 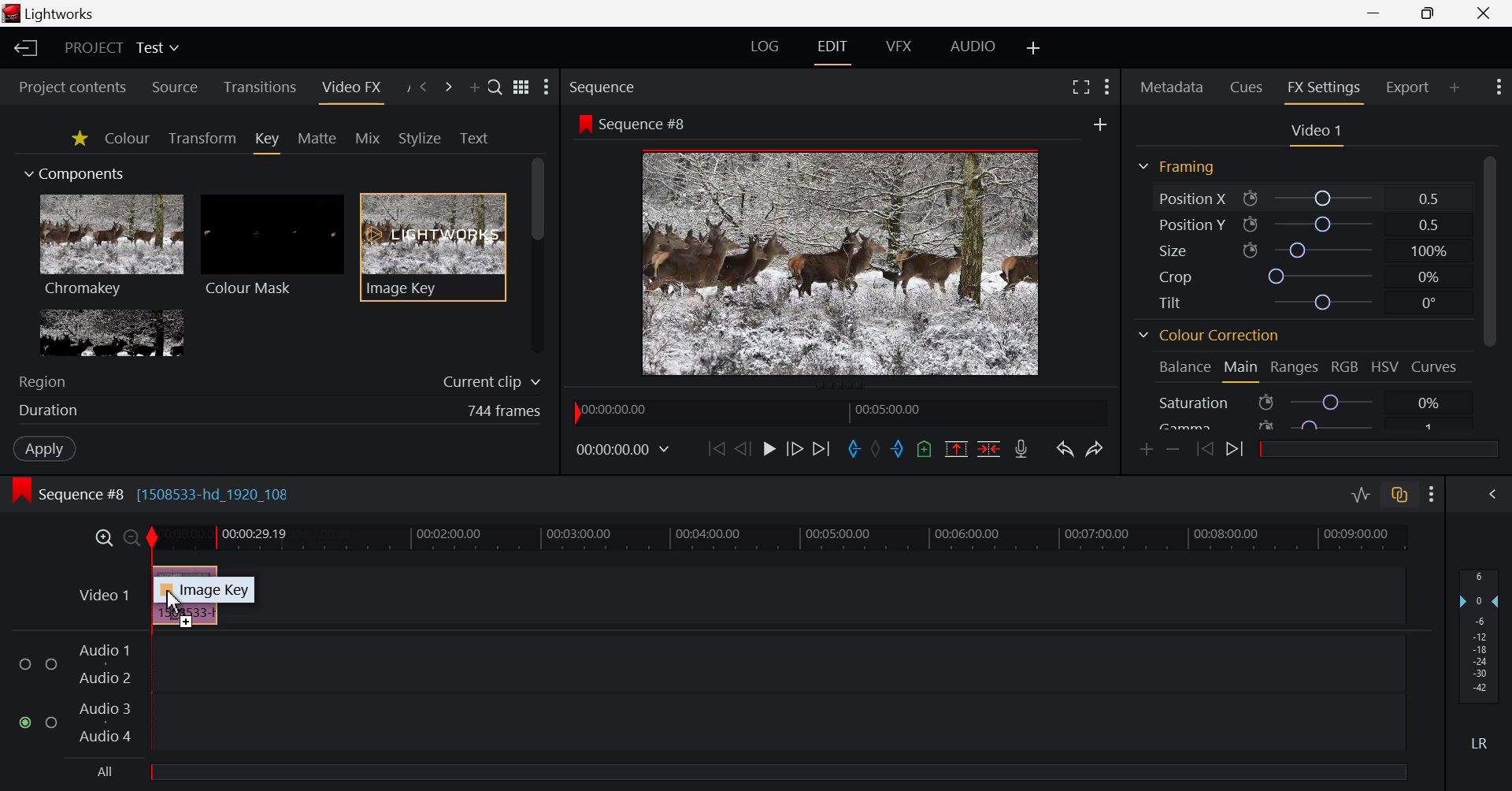 I want to click on Transform, so click(x=200, y=139).